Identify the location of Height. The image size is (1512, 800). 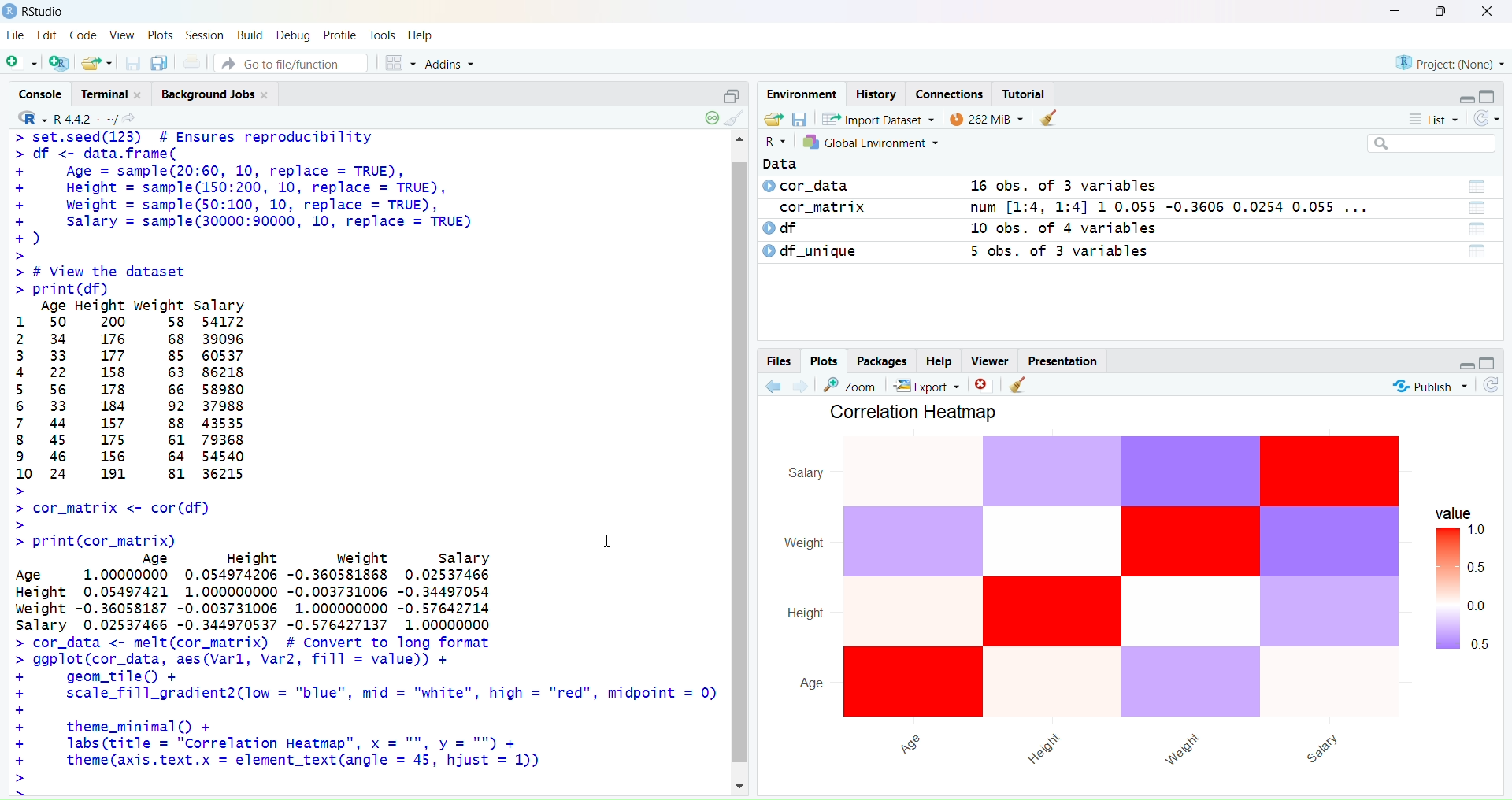
(1041, 749).